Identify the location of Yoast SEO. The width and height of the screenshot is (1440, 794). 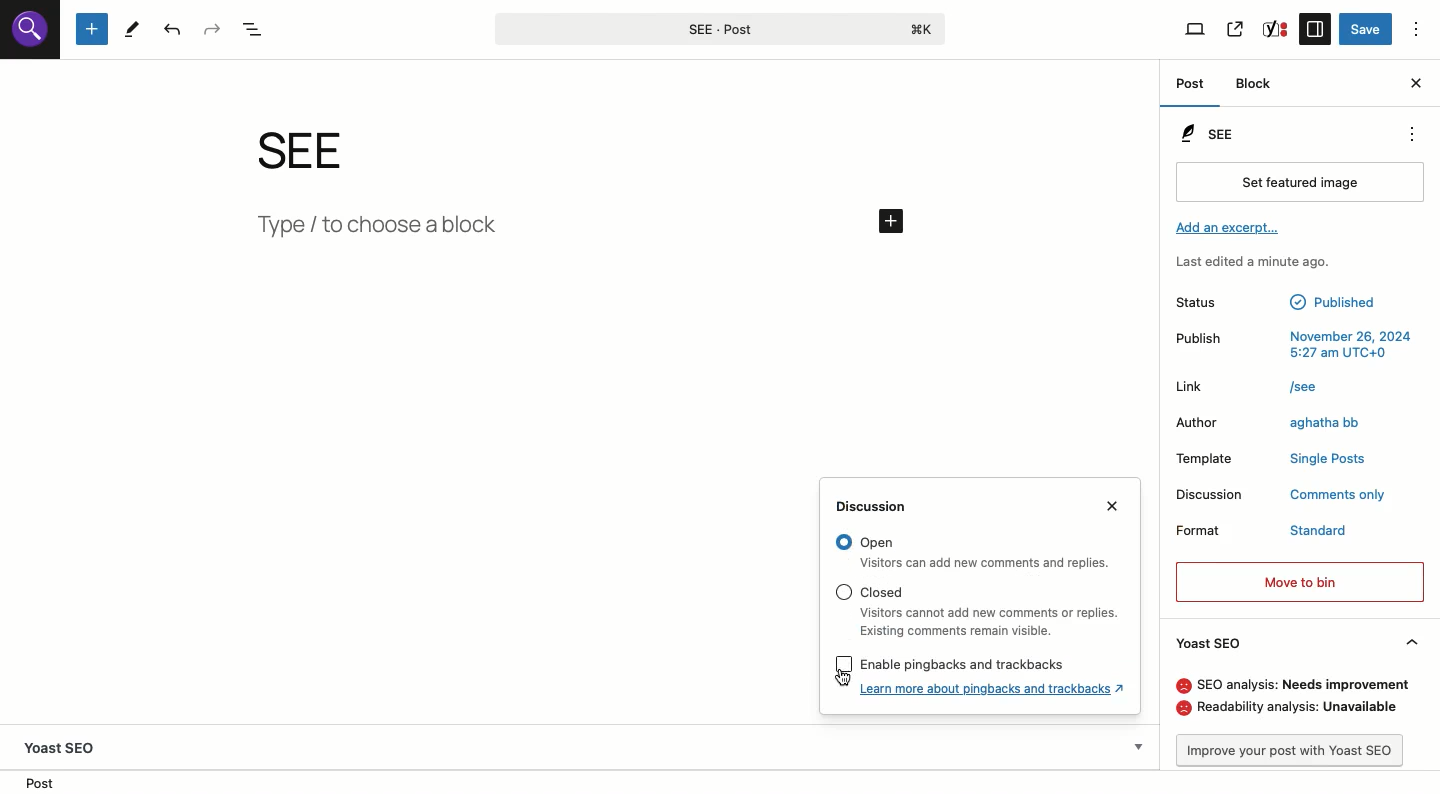
(1211, 641).